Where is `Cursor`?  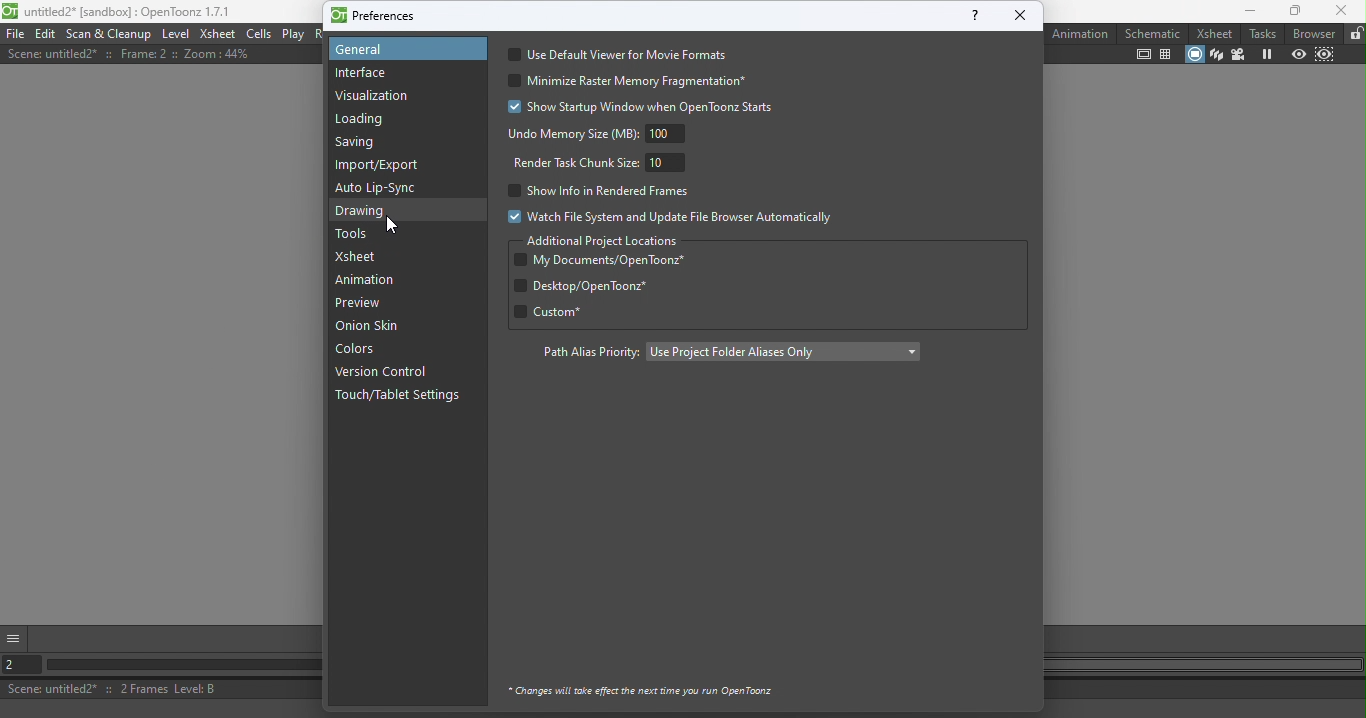 Cursor is located at coordinates (389, 225).